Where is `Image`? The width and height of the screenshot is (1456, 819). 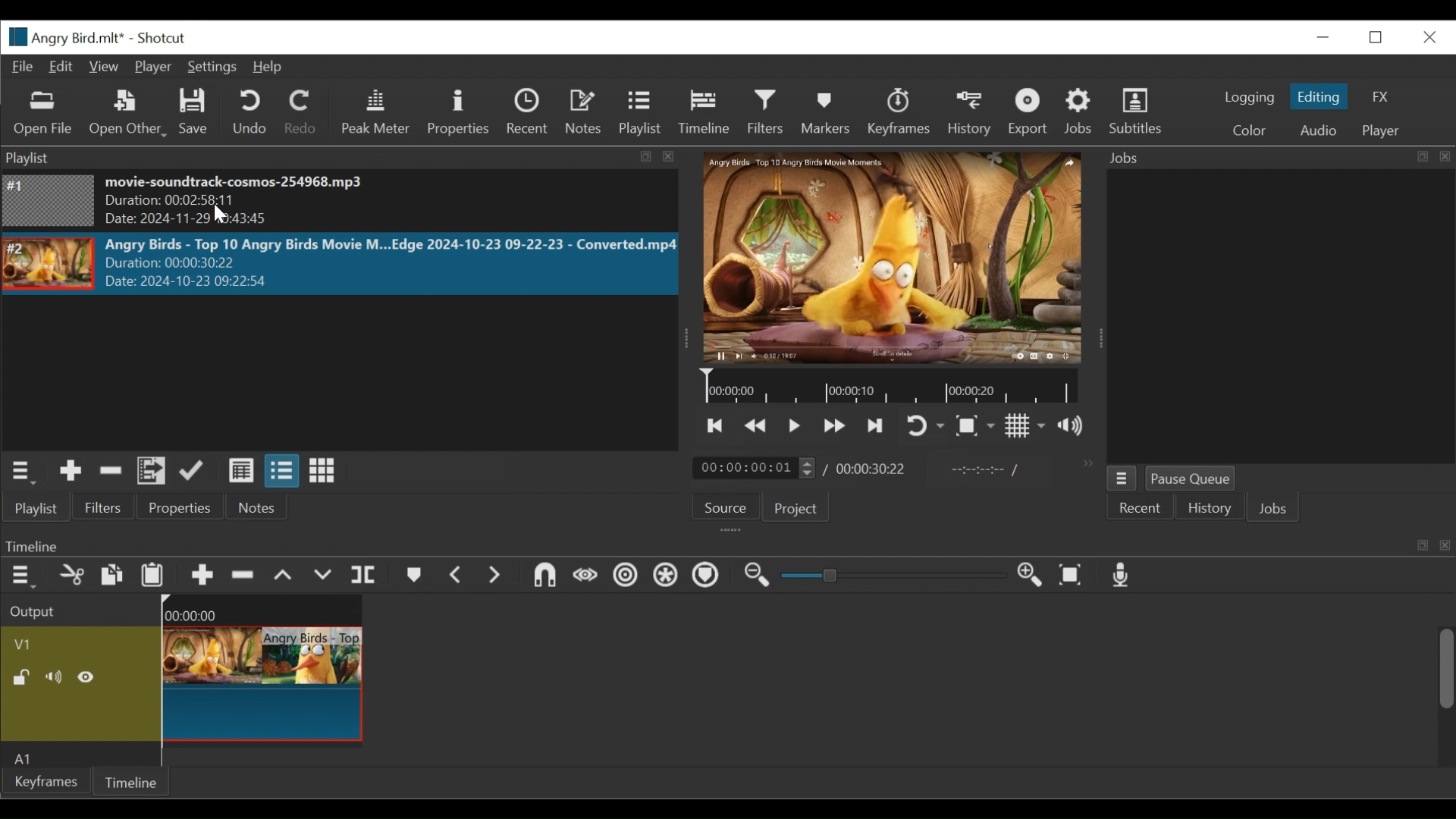
Image is located at coordinates (49, 200).